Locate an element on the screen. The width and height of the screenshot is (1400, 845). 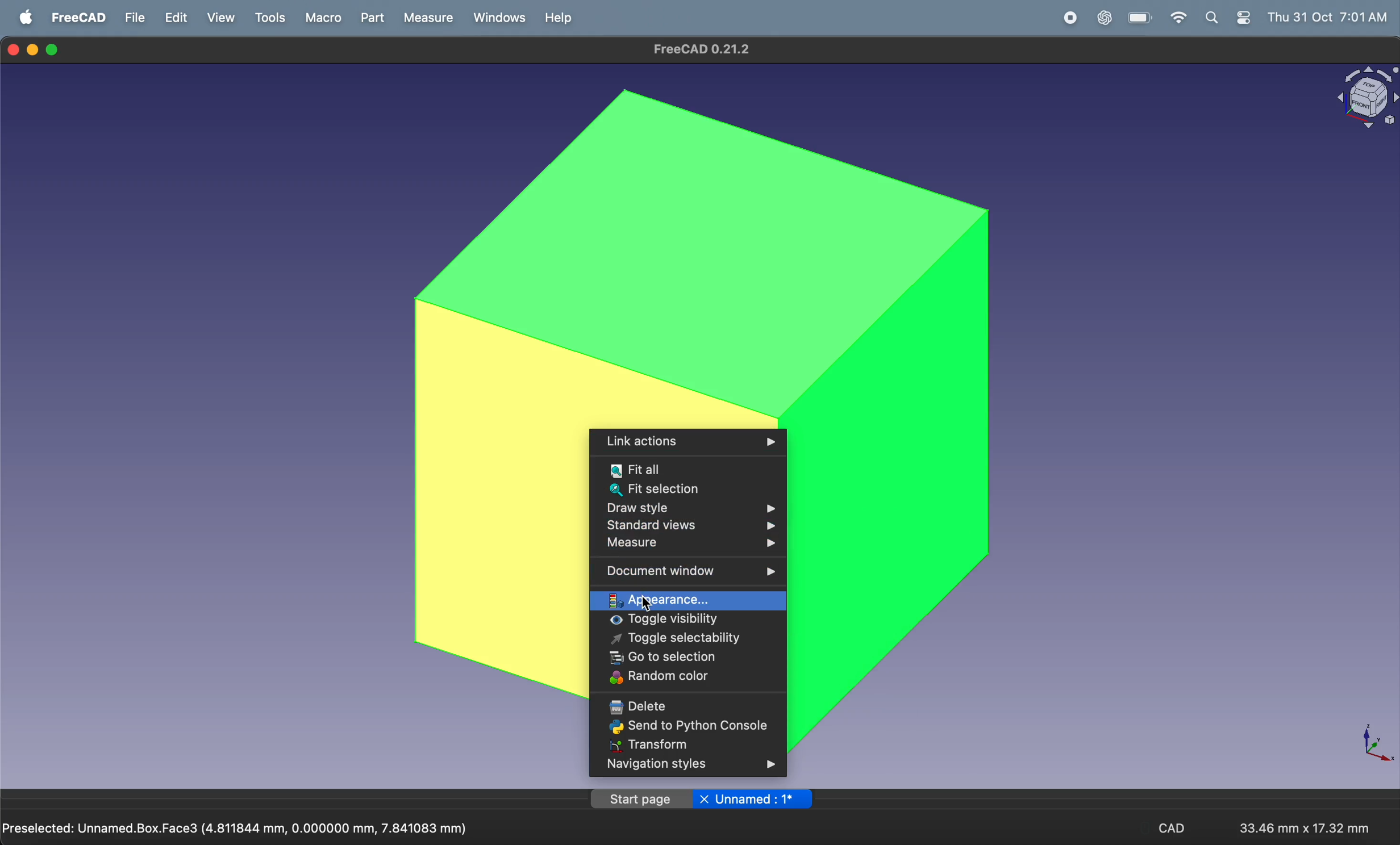
measure is located at coordinates (689, 546).